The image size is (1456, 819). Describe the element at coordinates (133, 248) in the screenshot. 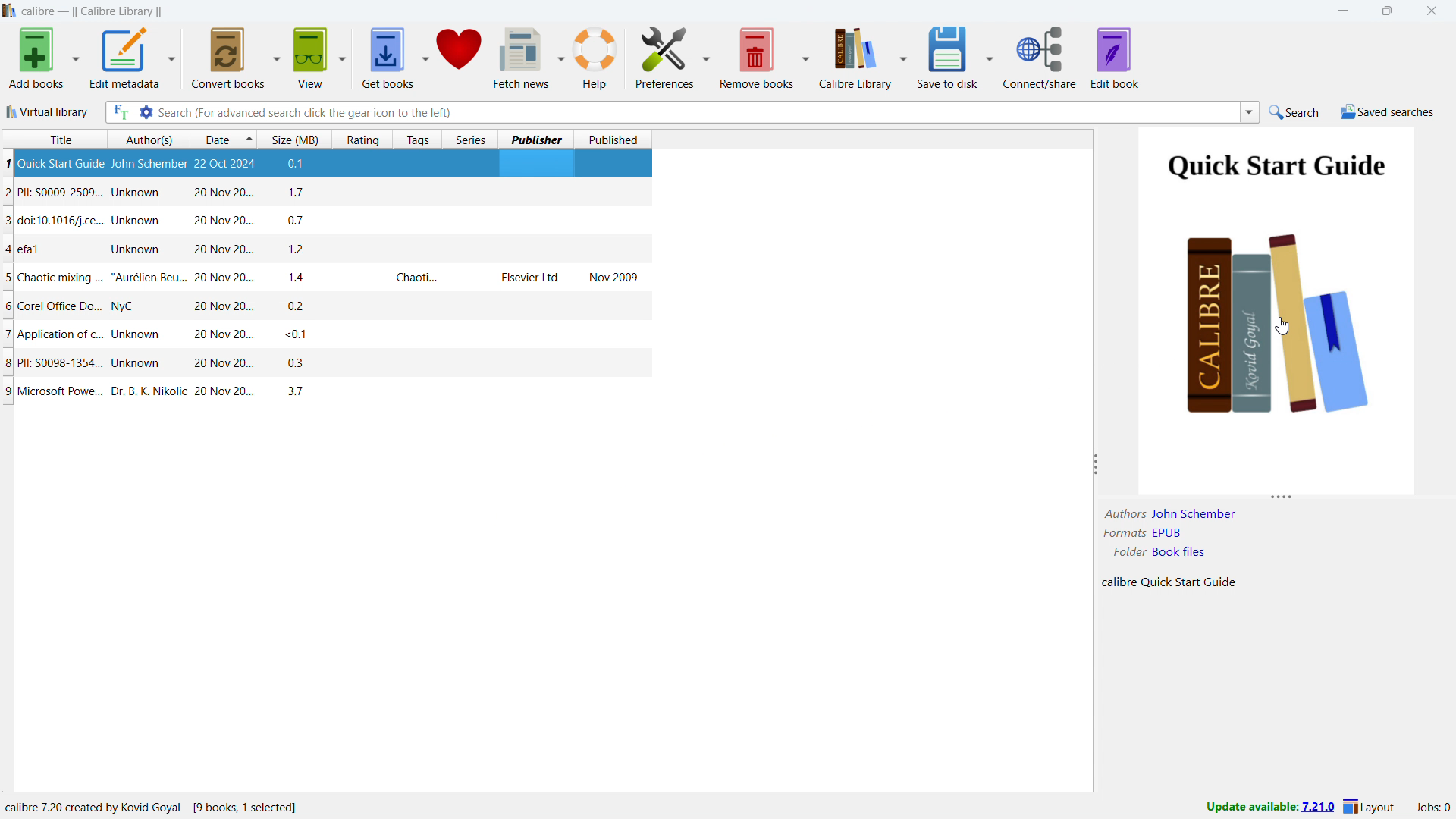

I see `Unknown` at that location.